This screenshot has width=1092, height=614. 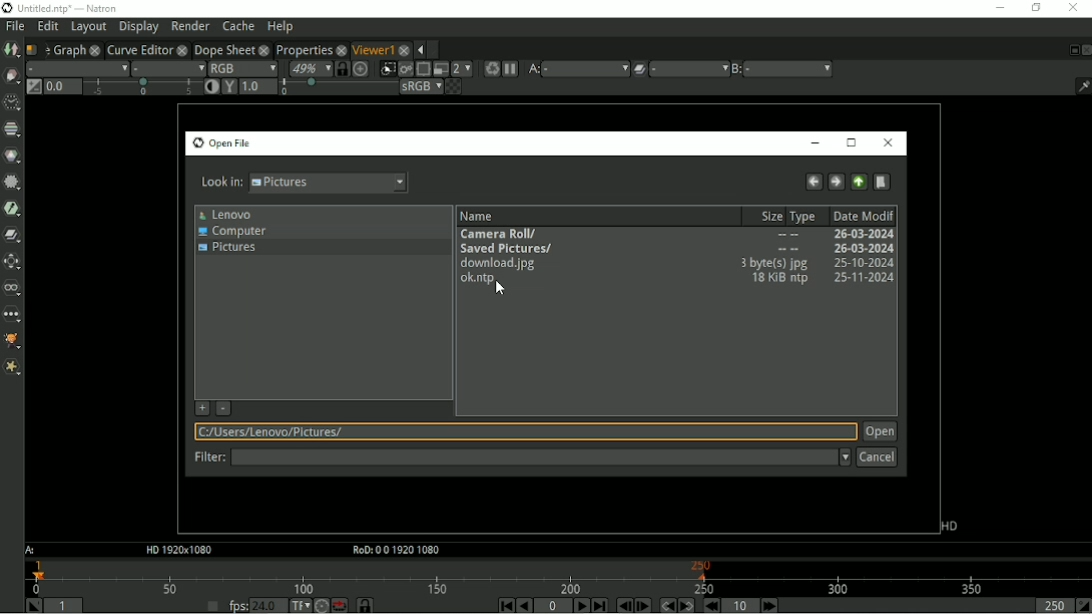 I want to click on Restore down, so click(x=1035, y=8).